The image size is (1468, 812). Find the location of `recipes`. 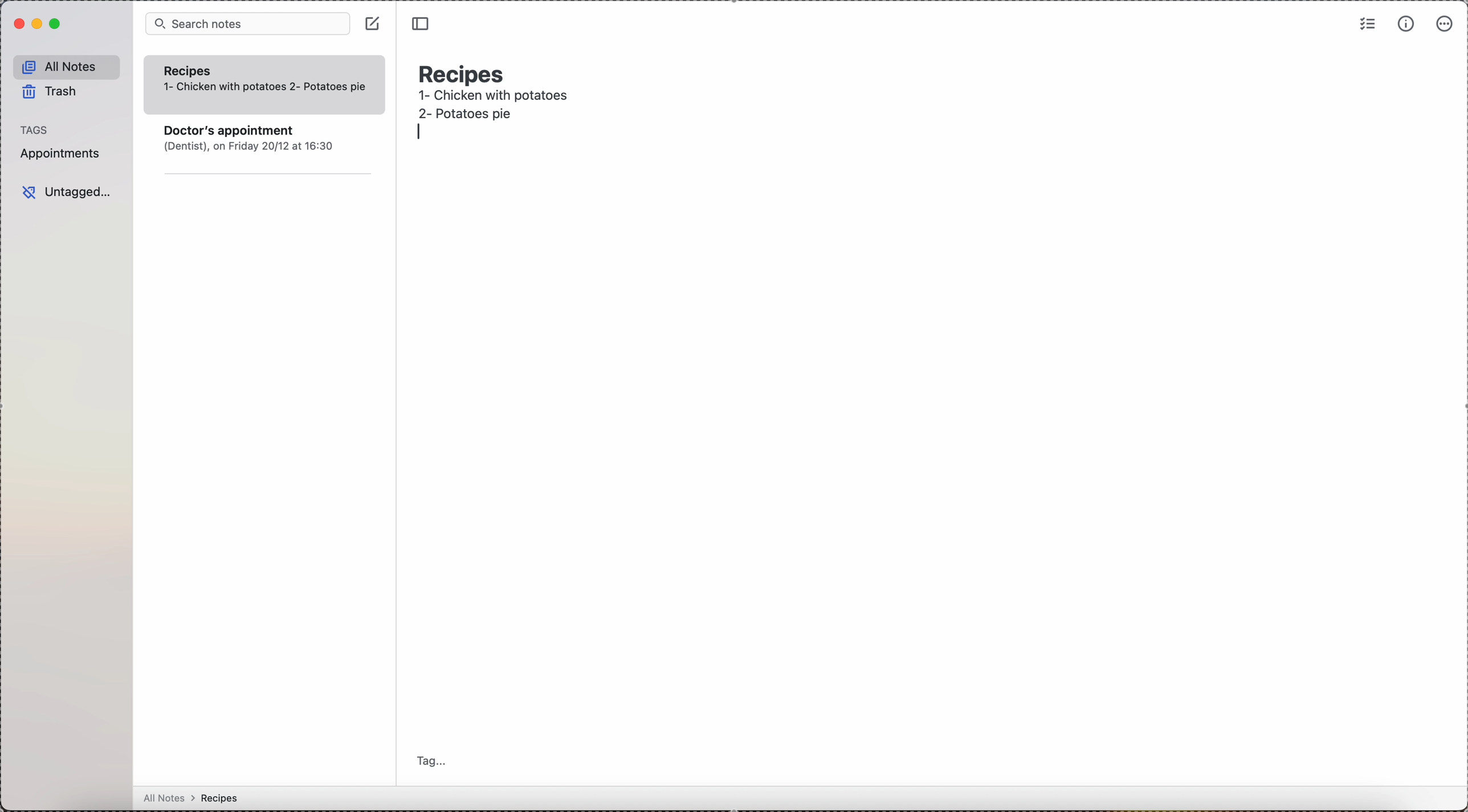

recipes is located at coordinates (465, 73).